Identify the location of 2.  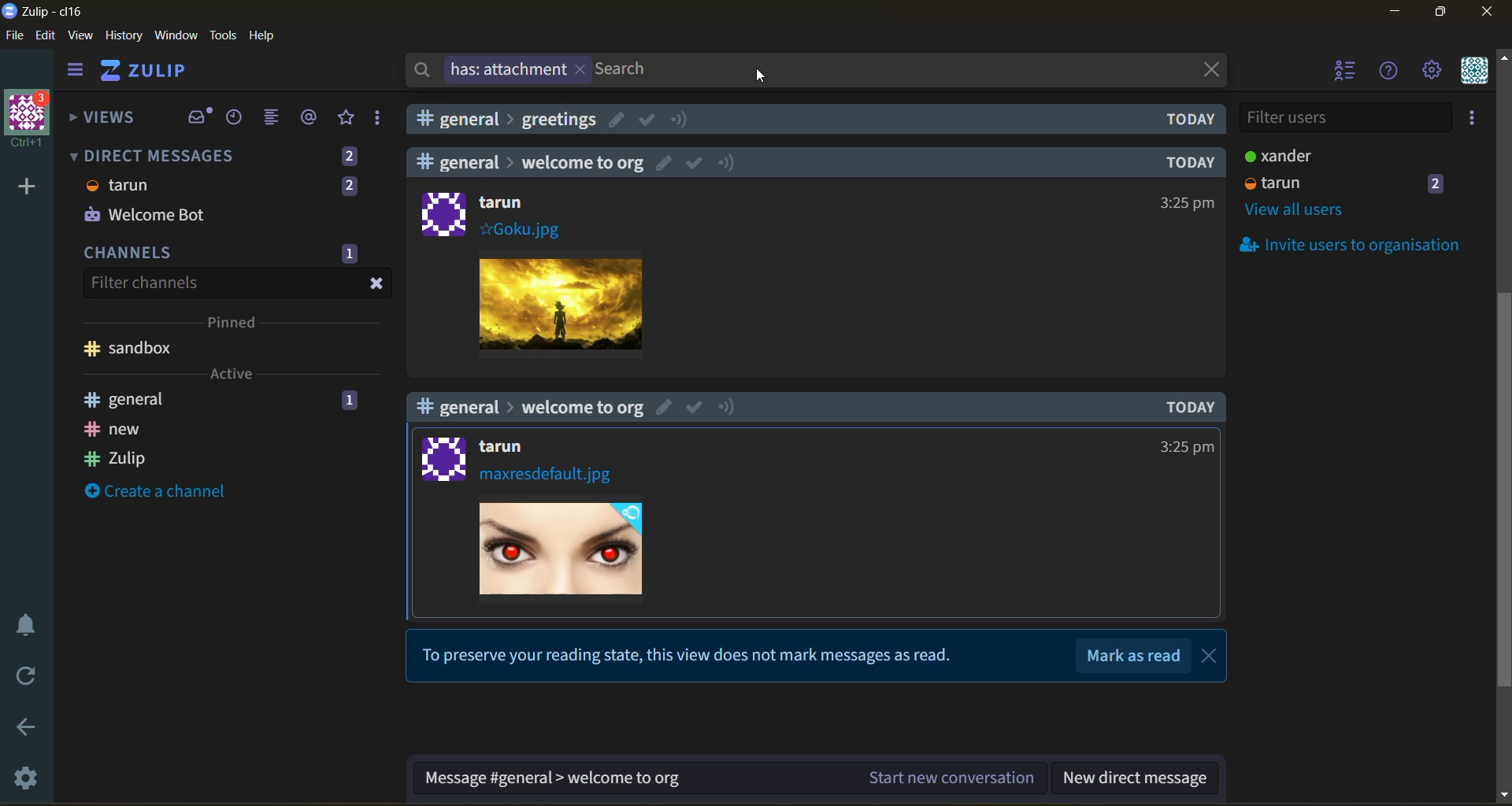
(349, 156).